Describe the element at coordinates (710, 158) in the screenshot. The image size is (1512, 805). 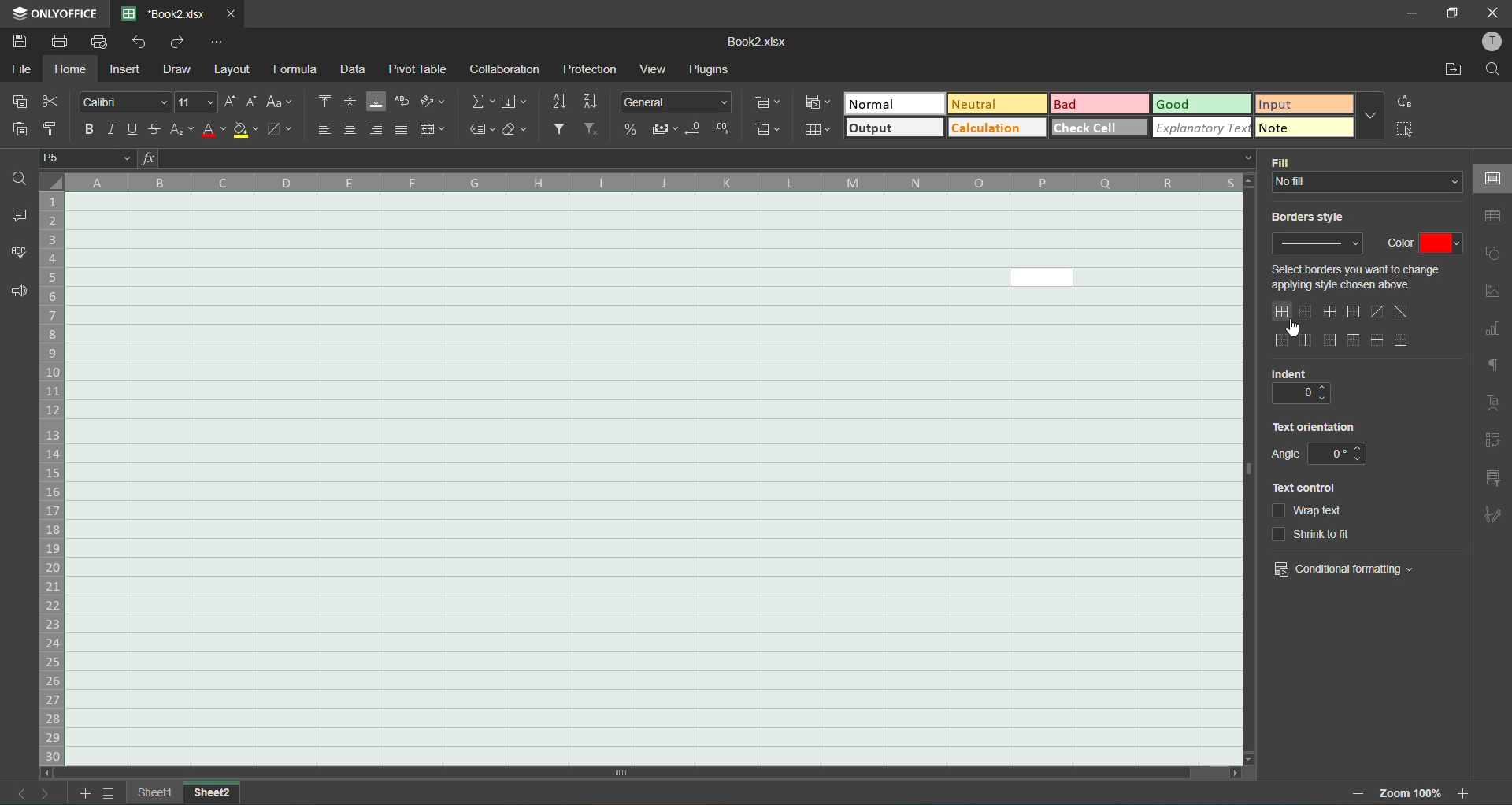
I see `formula bar` at that location.